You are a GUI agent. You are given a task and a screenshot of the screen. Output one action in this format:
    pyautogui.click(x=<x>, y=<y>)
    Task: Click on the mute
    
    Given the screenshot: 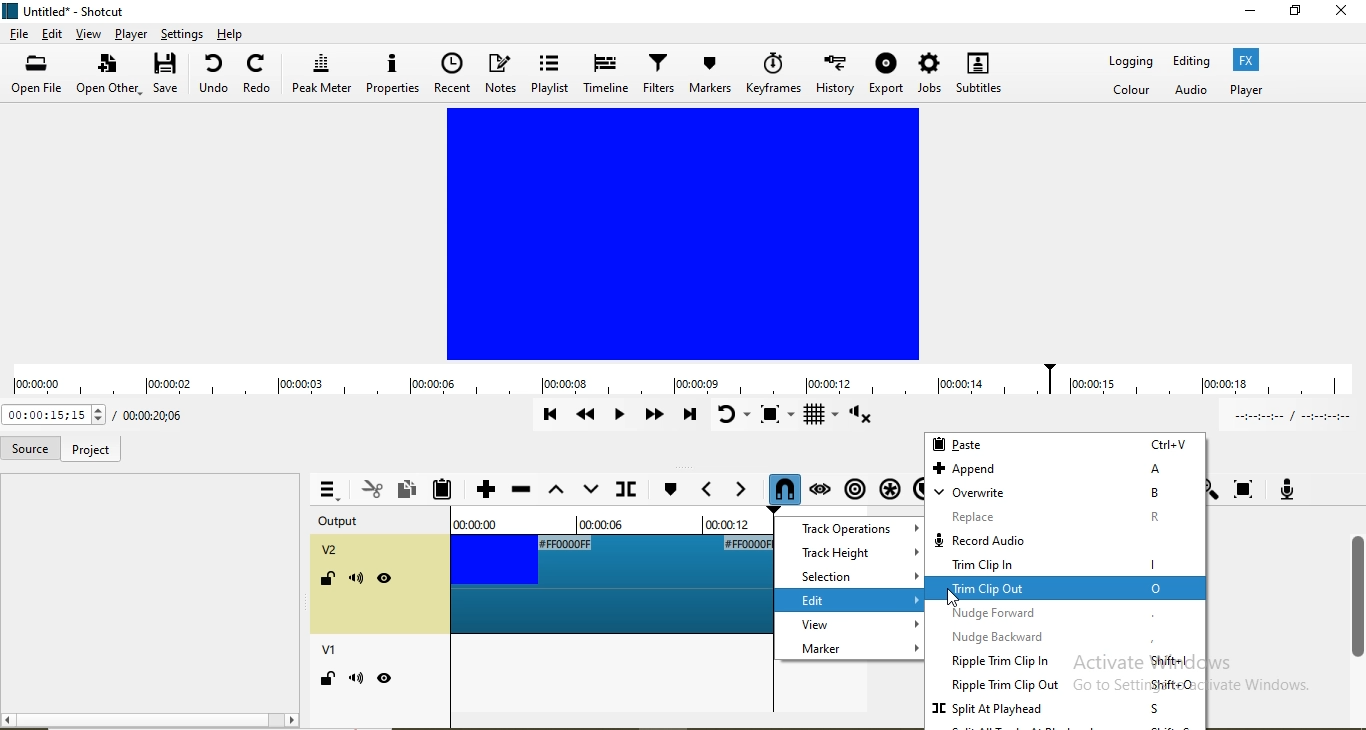 What is the action you would take?
    pyautogui.click(x=356, y=678)
    